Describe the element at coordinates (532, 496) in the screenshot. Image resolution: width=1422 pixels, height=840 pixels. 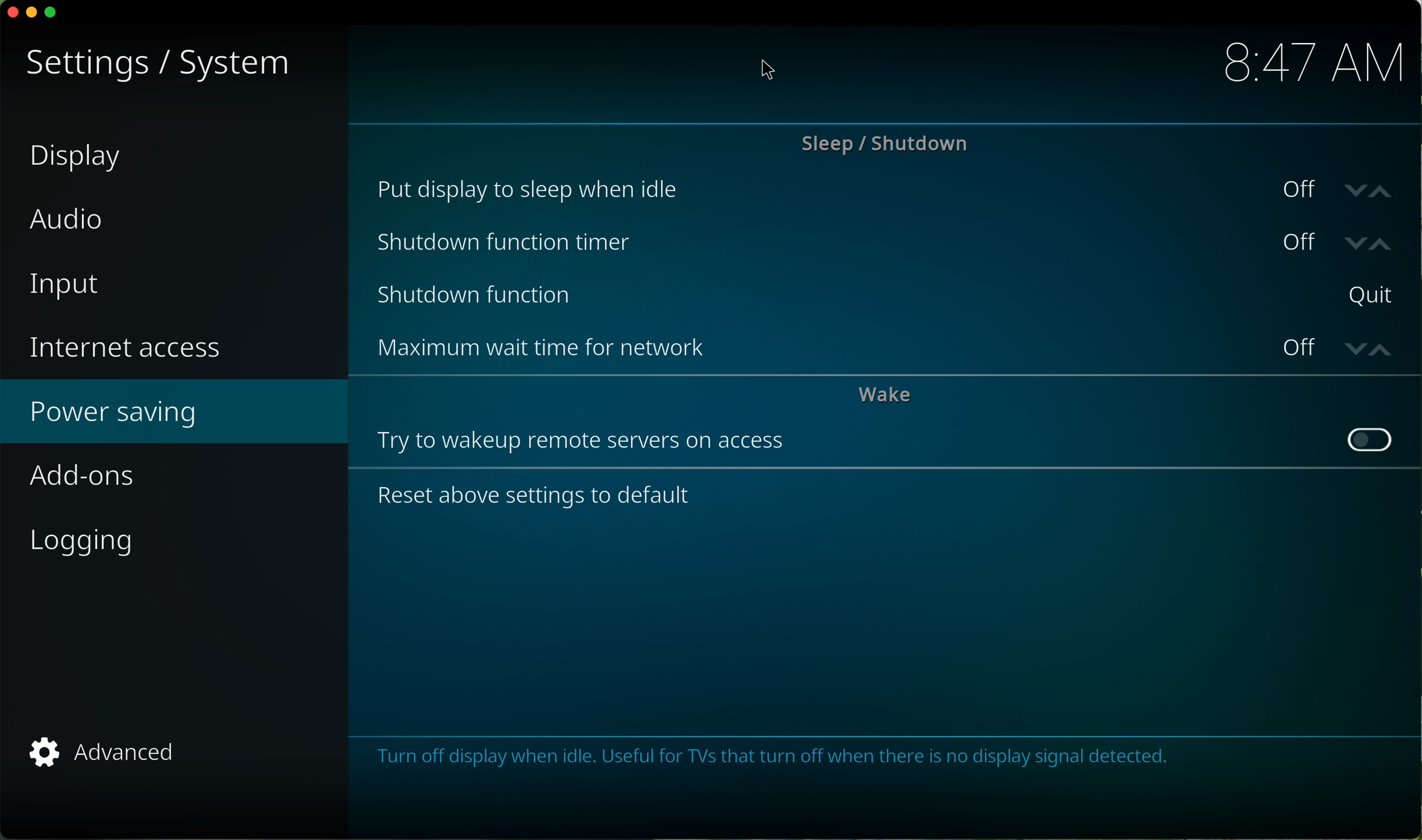
I see `reset above settings to default` at that location.